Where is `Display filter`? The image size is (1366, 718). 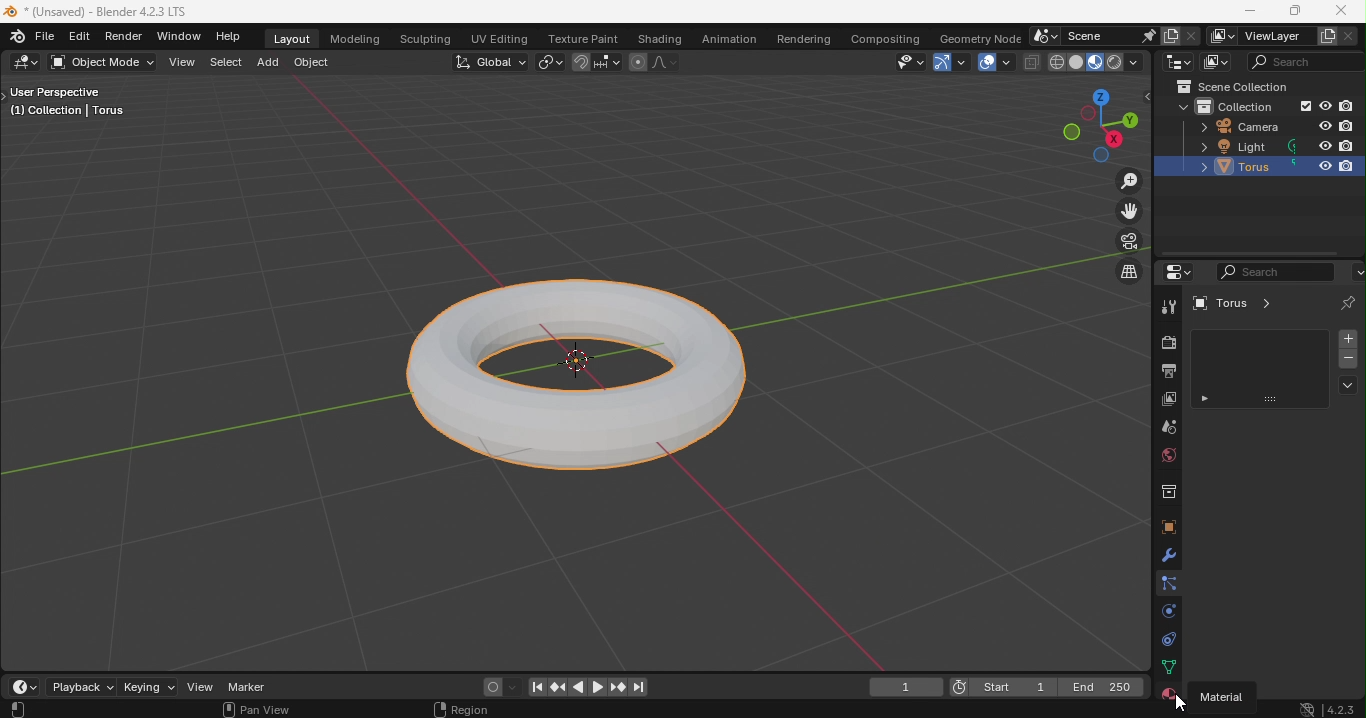 Display filter is located at coordinates (1306, 61).